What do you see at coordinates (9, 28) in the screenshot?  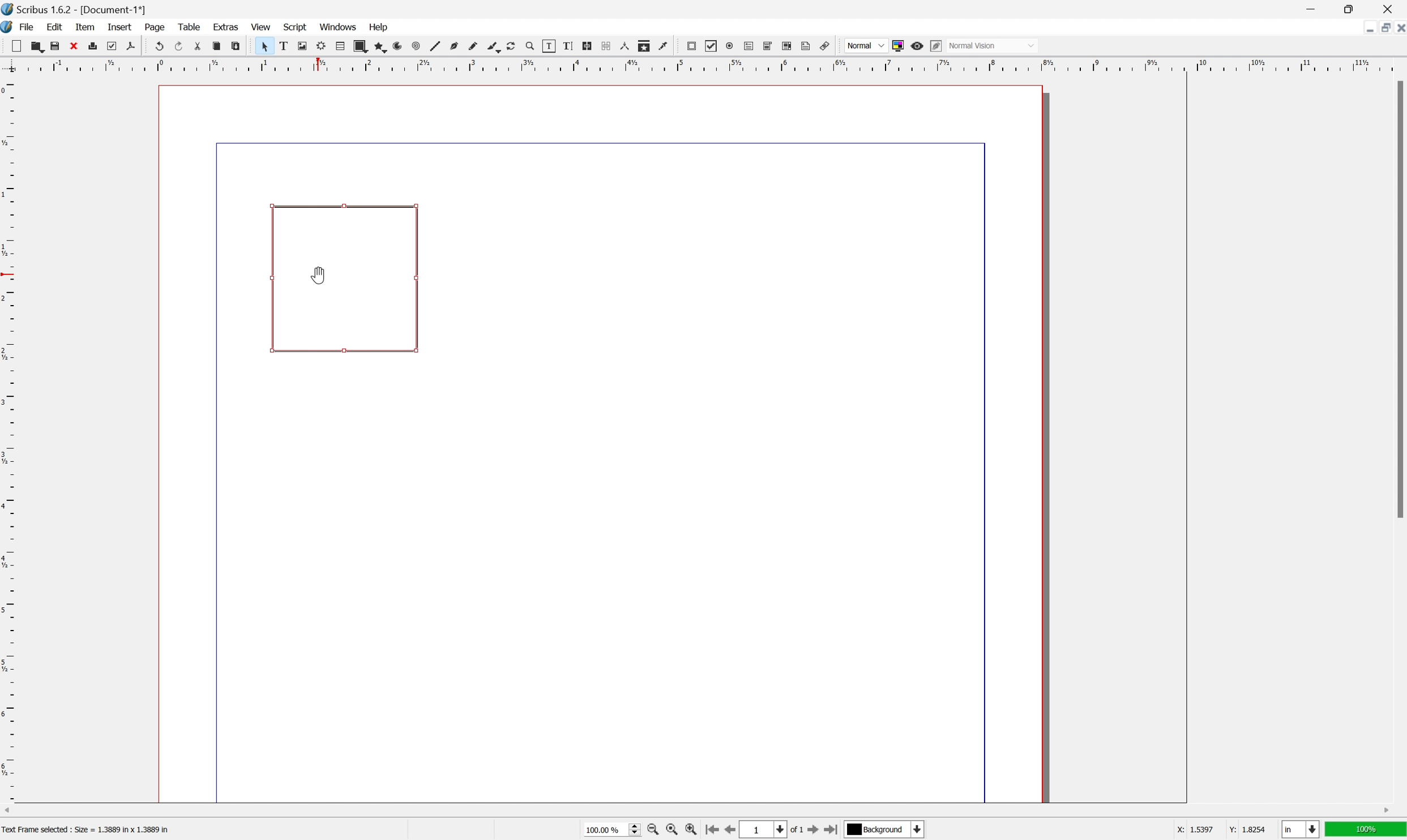 I see `application logo` at bounding box center [9, 28].